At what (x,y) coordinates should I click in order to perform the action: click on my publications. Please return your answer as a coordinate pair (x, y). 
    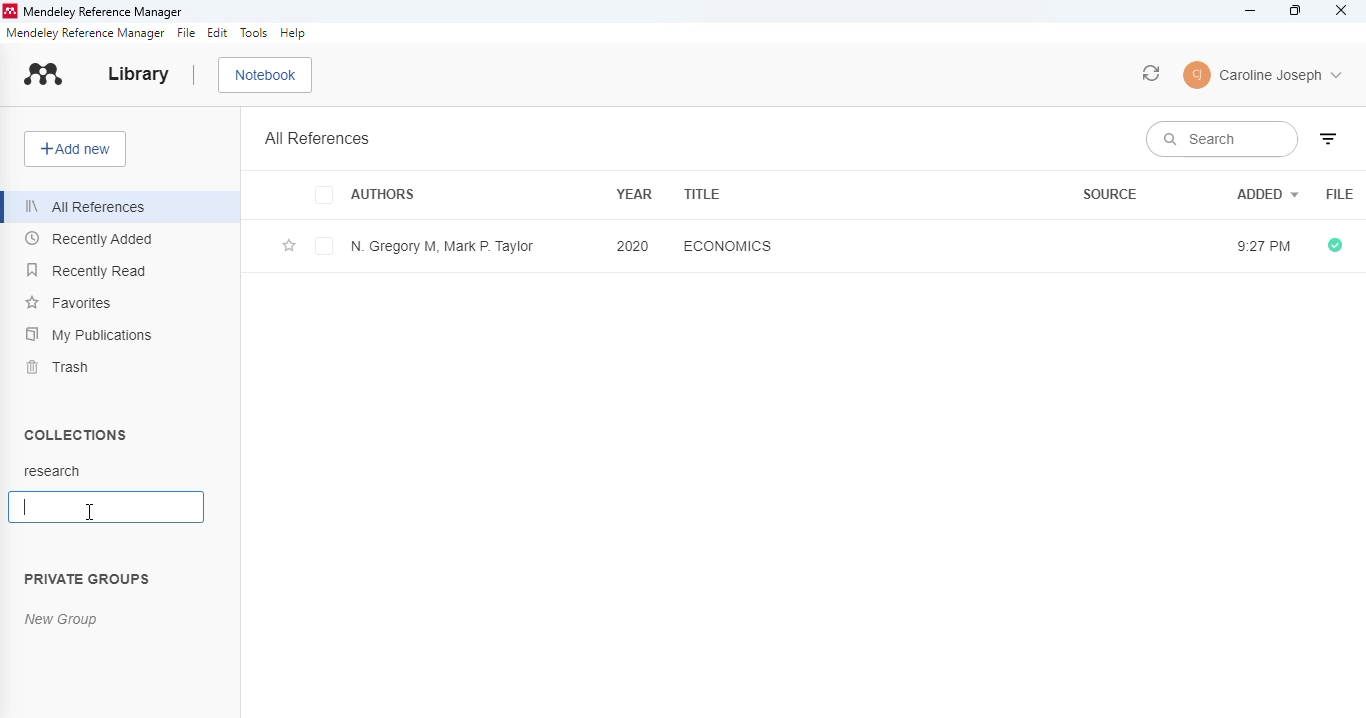
    Looking at the image, I should click on (90, 334).